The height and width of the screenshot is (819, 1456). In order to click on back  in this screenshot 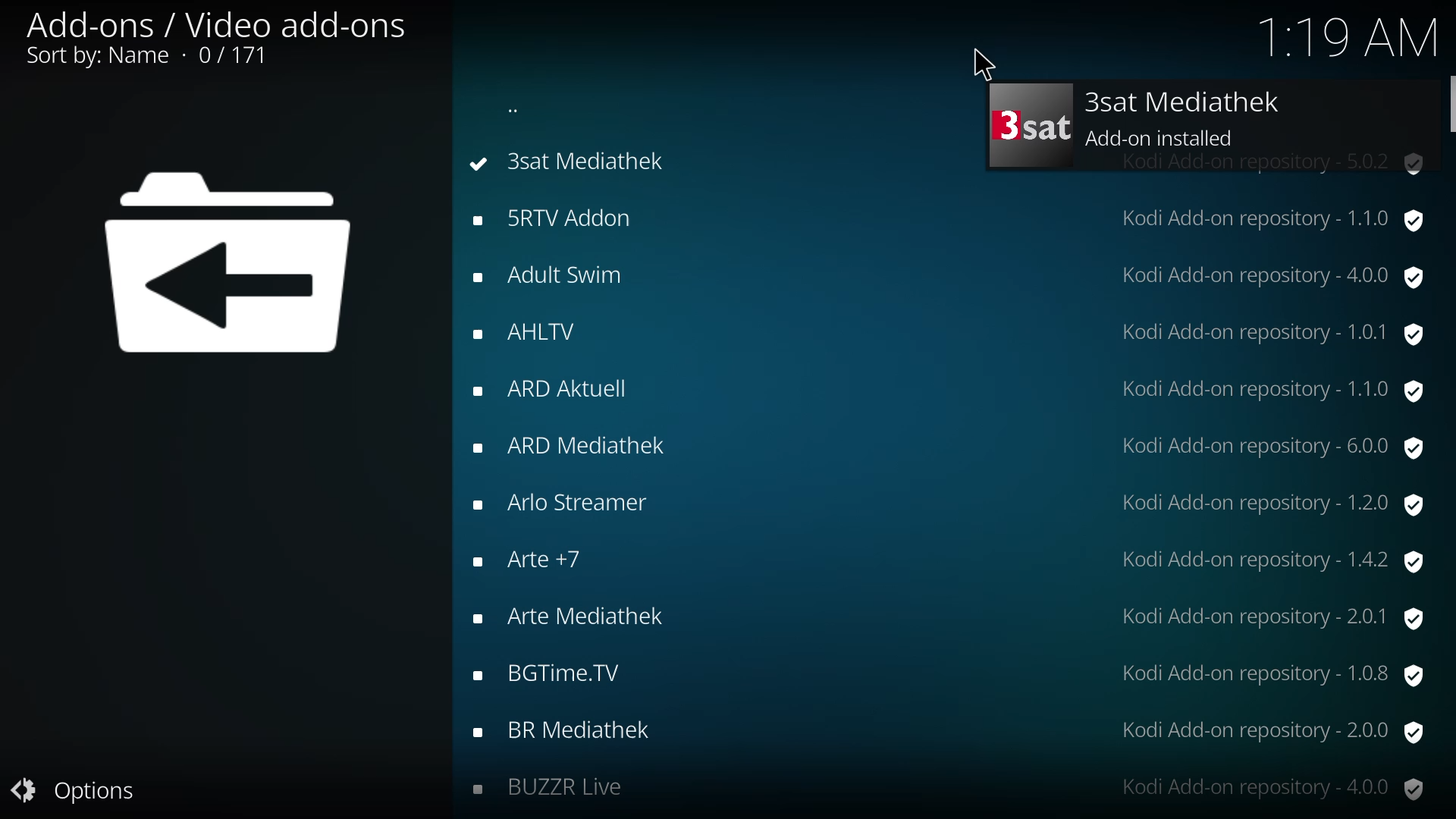, I will do `click(232, 274)`.